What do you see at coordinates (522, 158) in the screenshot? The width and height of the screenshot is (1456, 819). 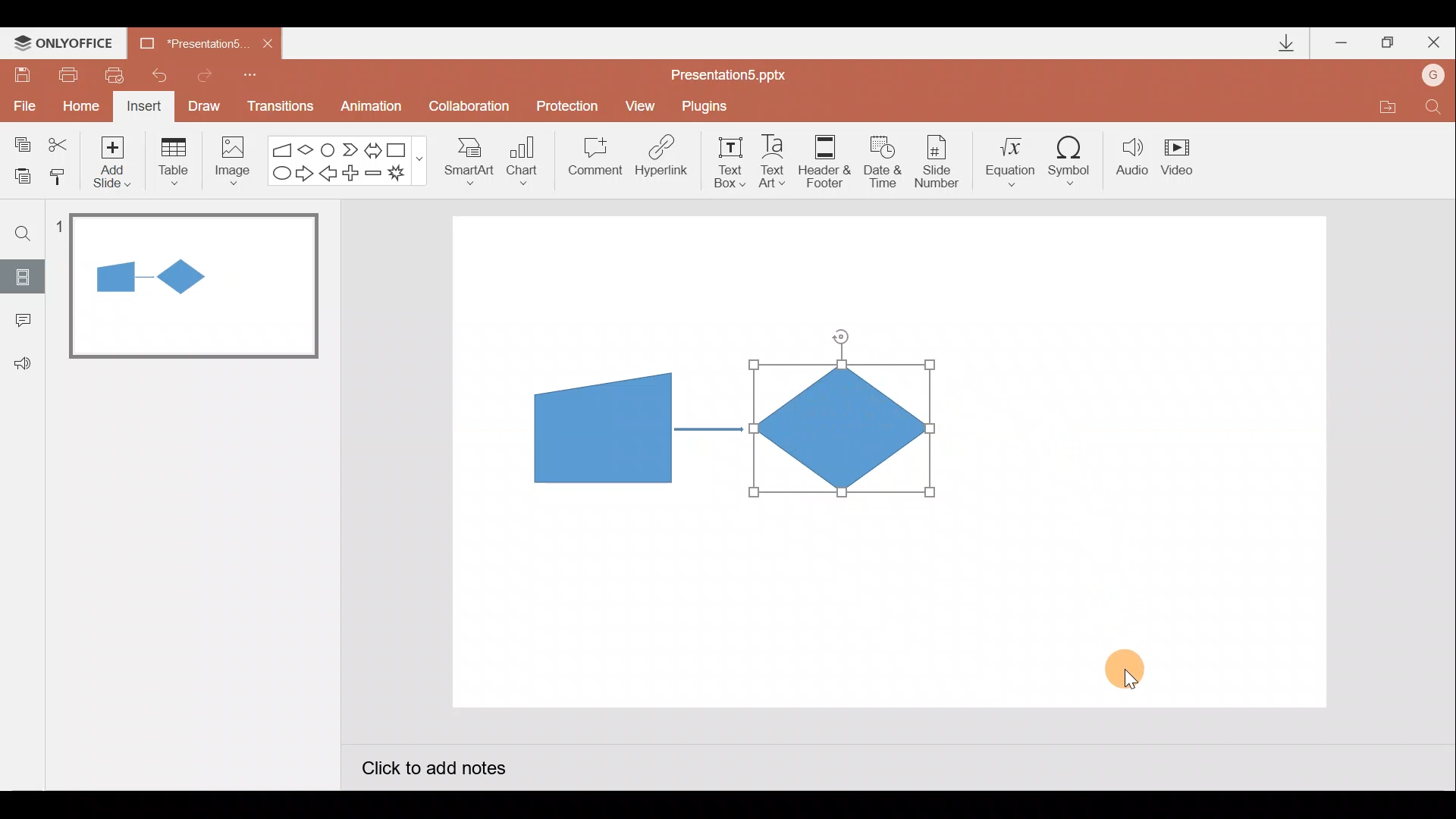 I see `Chart` at bounding box center [522, 158].